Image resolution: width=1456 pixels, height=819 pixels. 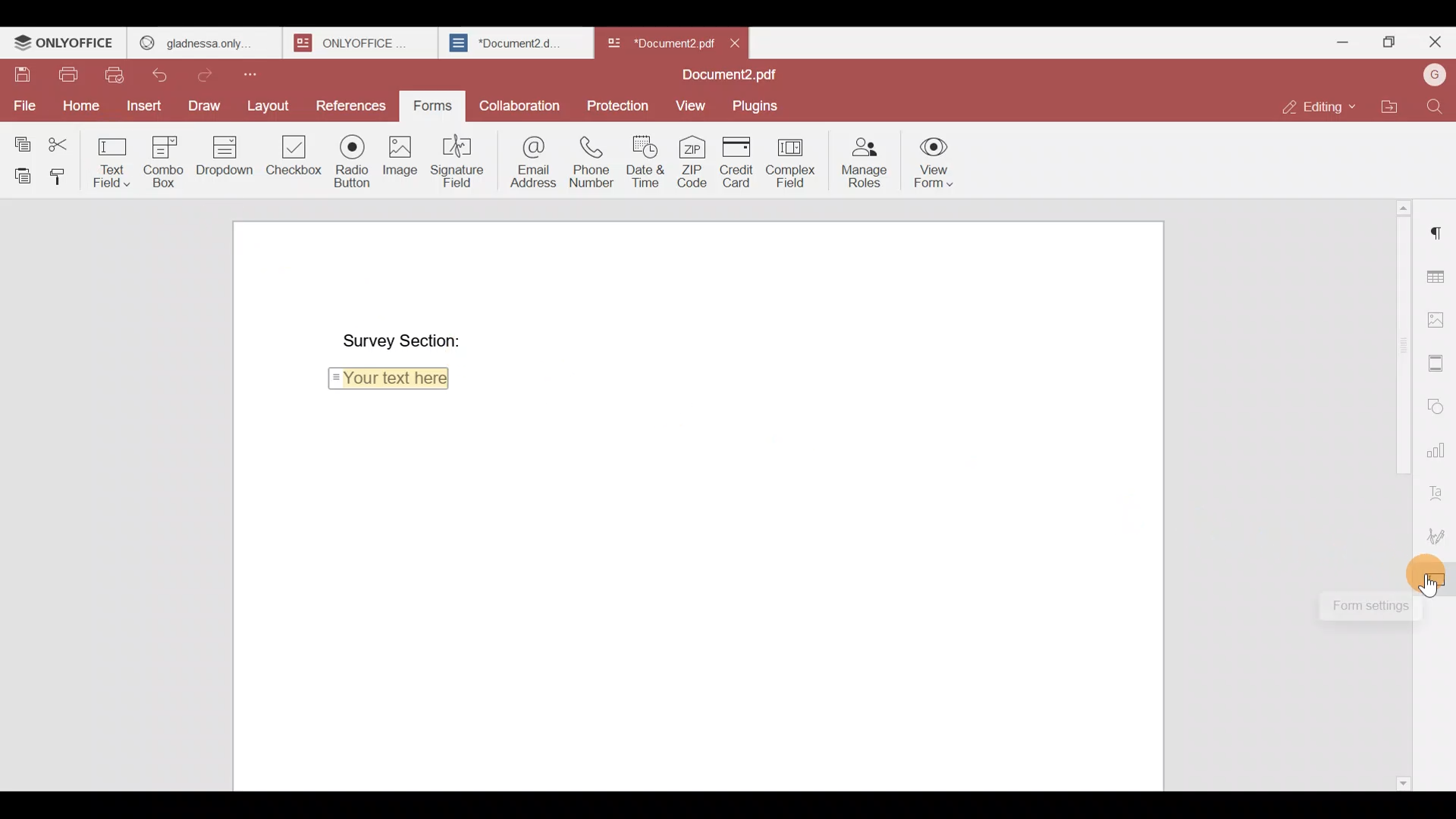 What do you see at coordinates (1434, 45) in the screenshot?
I see `Close` at bounding box center [1434, 45].